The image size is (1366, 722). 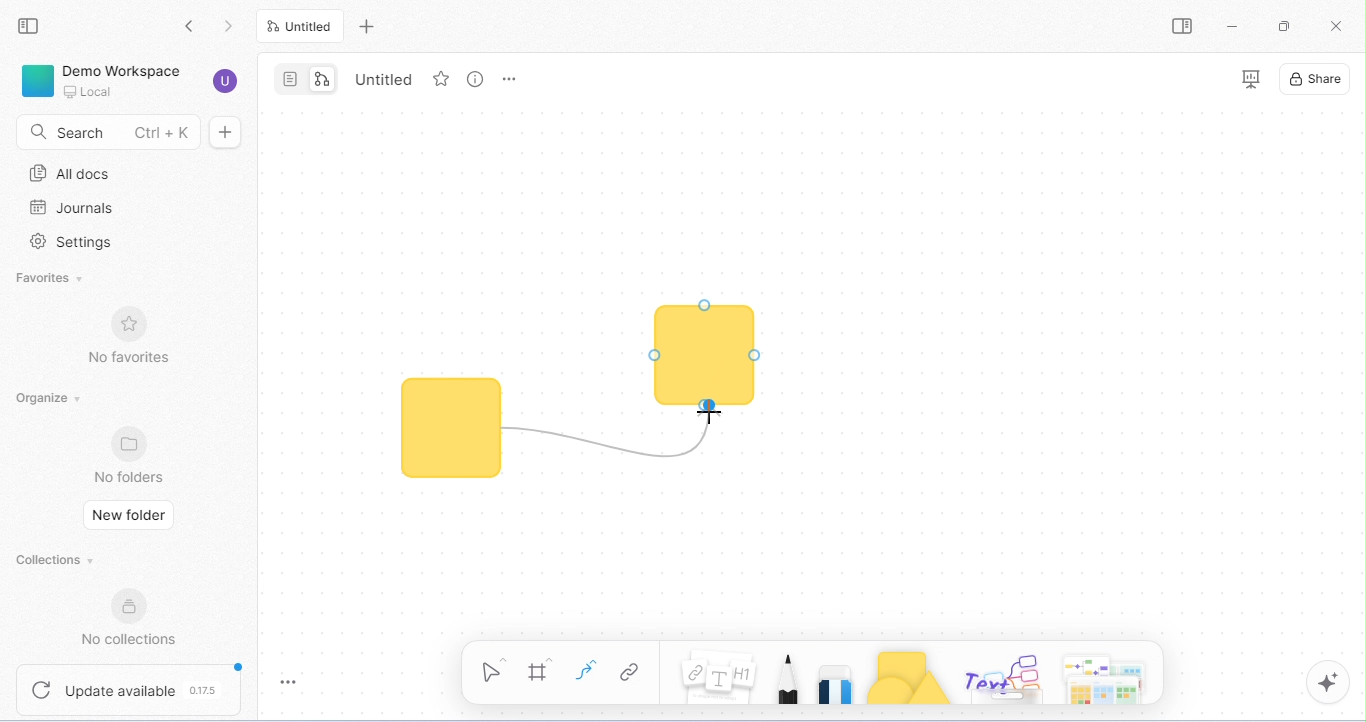 What do you see at coordinates (69, 208) in the screenshot?
I see `journals` at bounding box center [69, 208].